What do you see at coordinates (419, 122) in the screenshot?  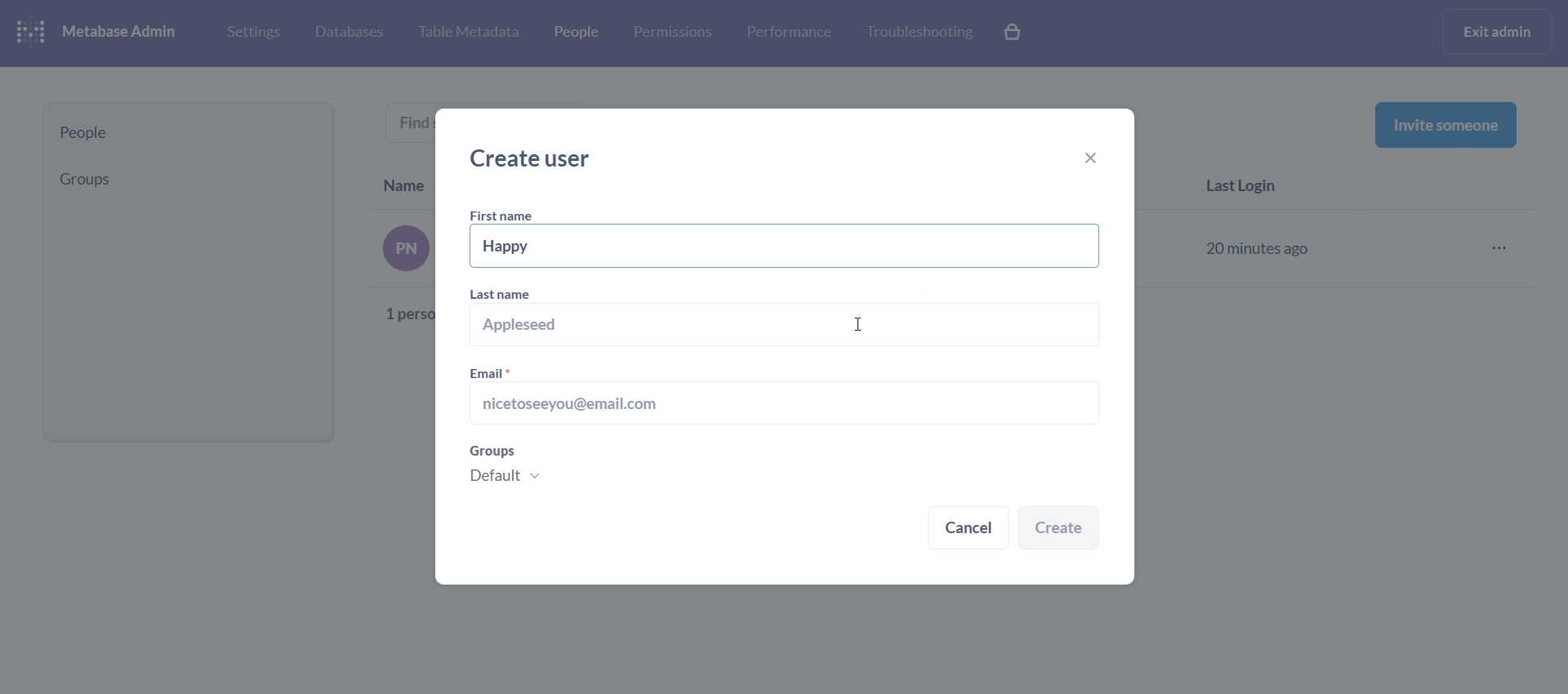 I see `text` at bounding box center [419, 122].